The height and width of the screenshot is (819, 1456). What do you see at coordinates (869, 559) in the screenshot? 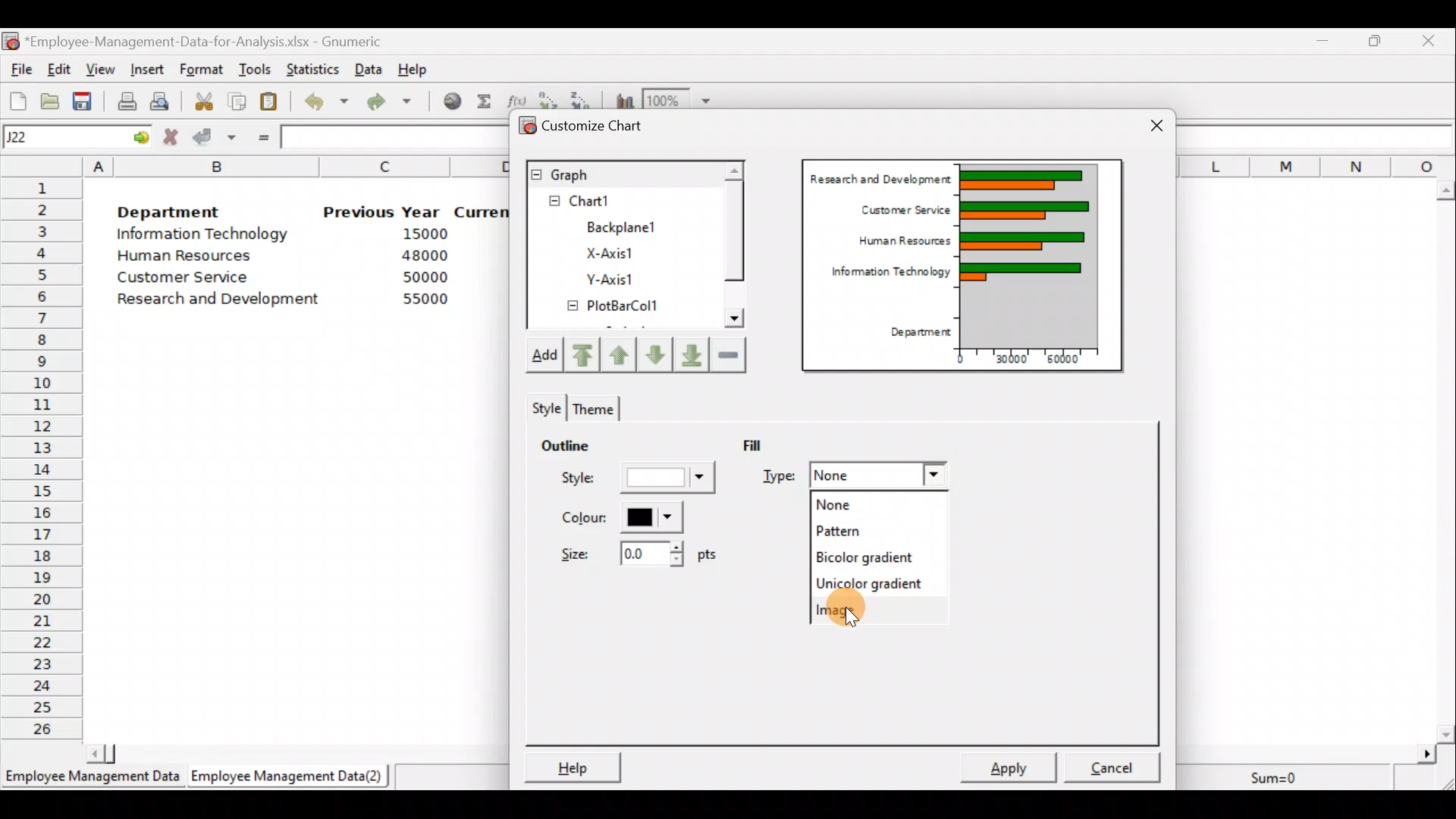
I see `Bicolor gradient` at bounding box center [869, 559].